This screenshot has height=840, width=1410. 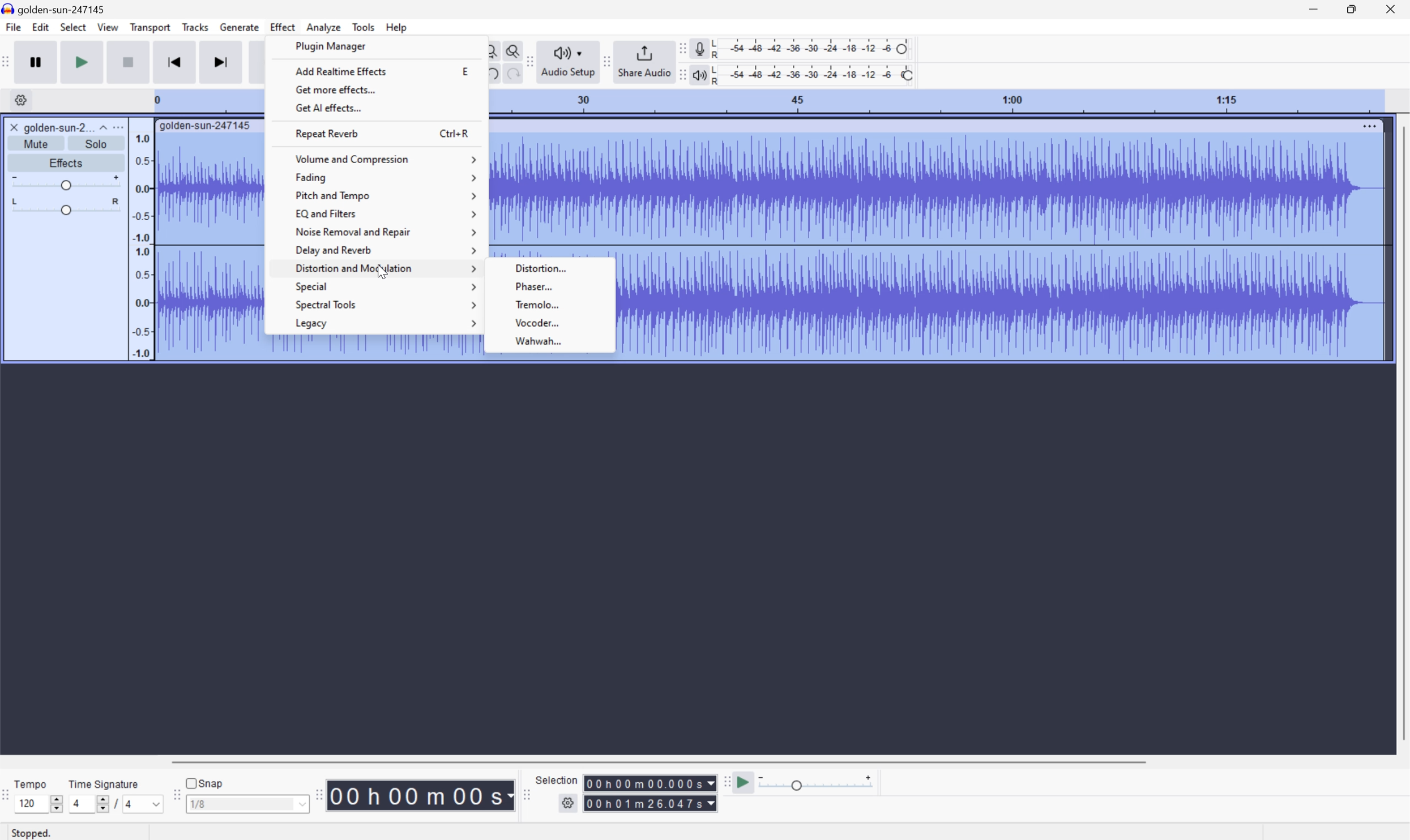 I want to click on Spectral Tools, so click(x=383, y=305).